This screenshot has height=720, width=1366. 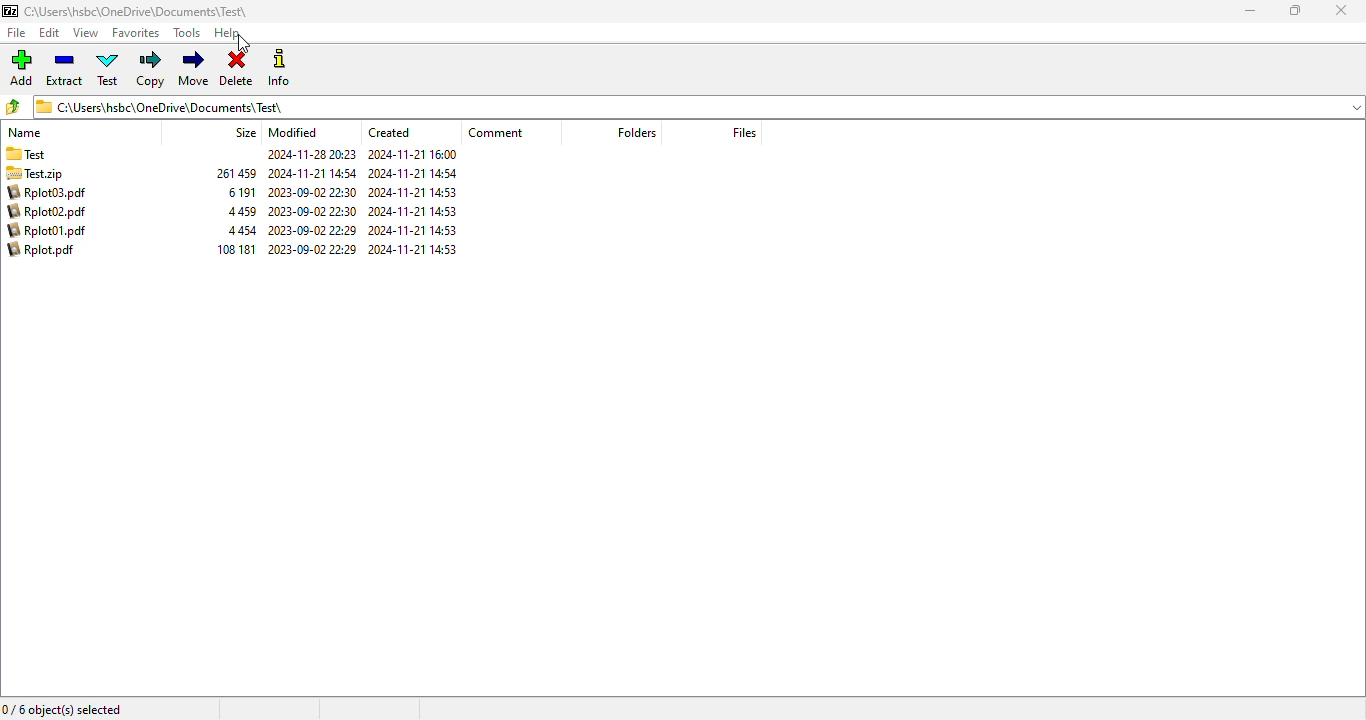 I want to click on 2023-09-02 22:29, so click(x=312, y=250).